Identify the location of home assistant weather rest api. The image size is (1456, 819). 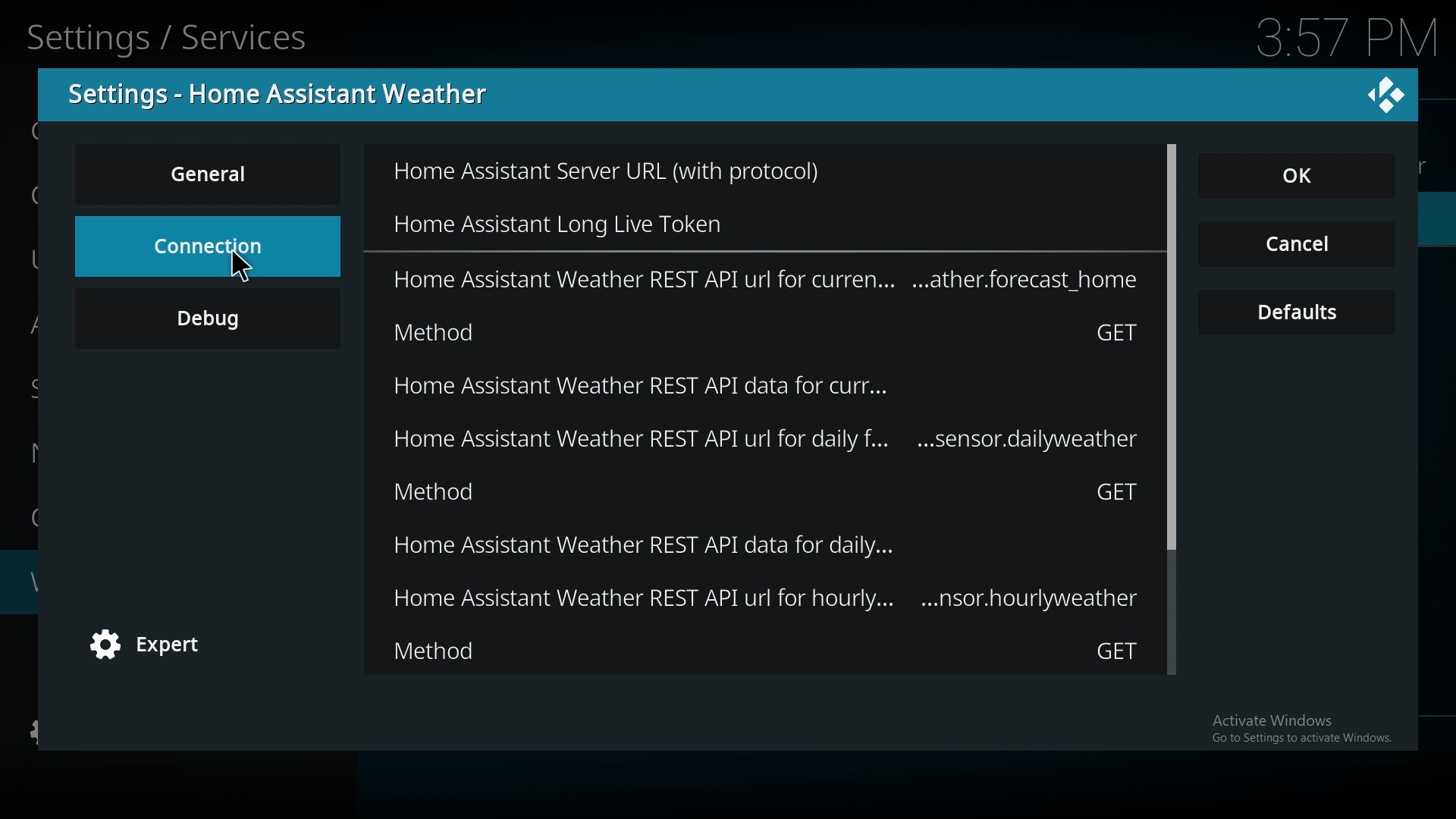
(767, 279).